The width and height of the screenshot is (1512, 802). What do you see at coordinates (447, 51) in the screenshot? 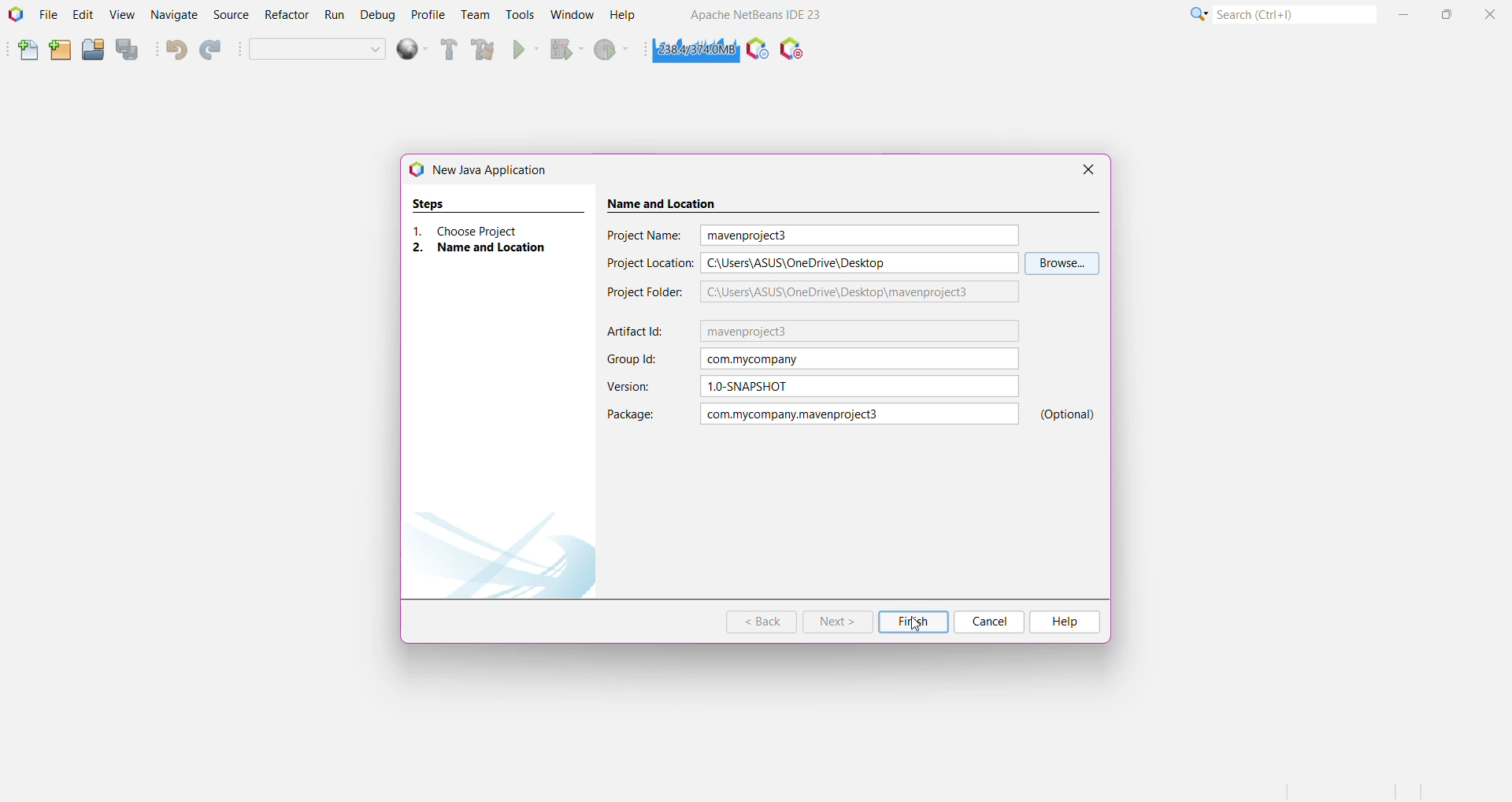
I see `Build Project` at bounding box center [447, 51].